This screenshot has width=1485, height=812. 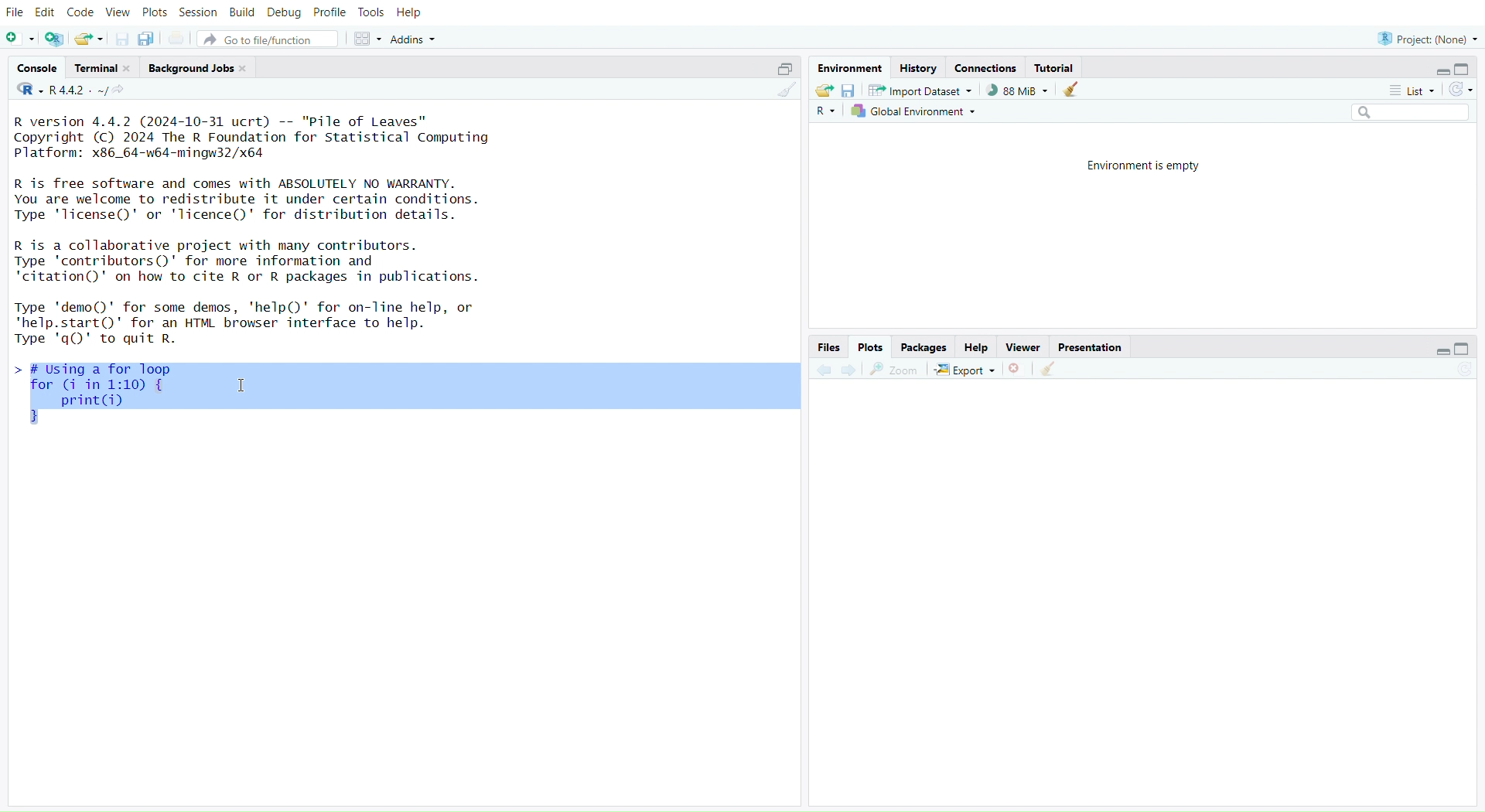 What do you see at coordinates (415, 39) in the screenshot?
I see `addins` at bounding box center [415, 39].